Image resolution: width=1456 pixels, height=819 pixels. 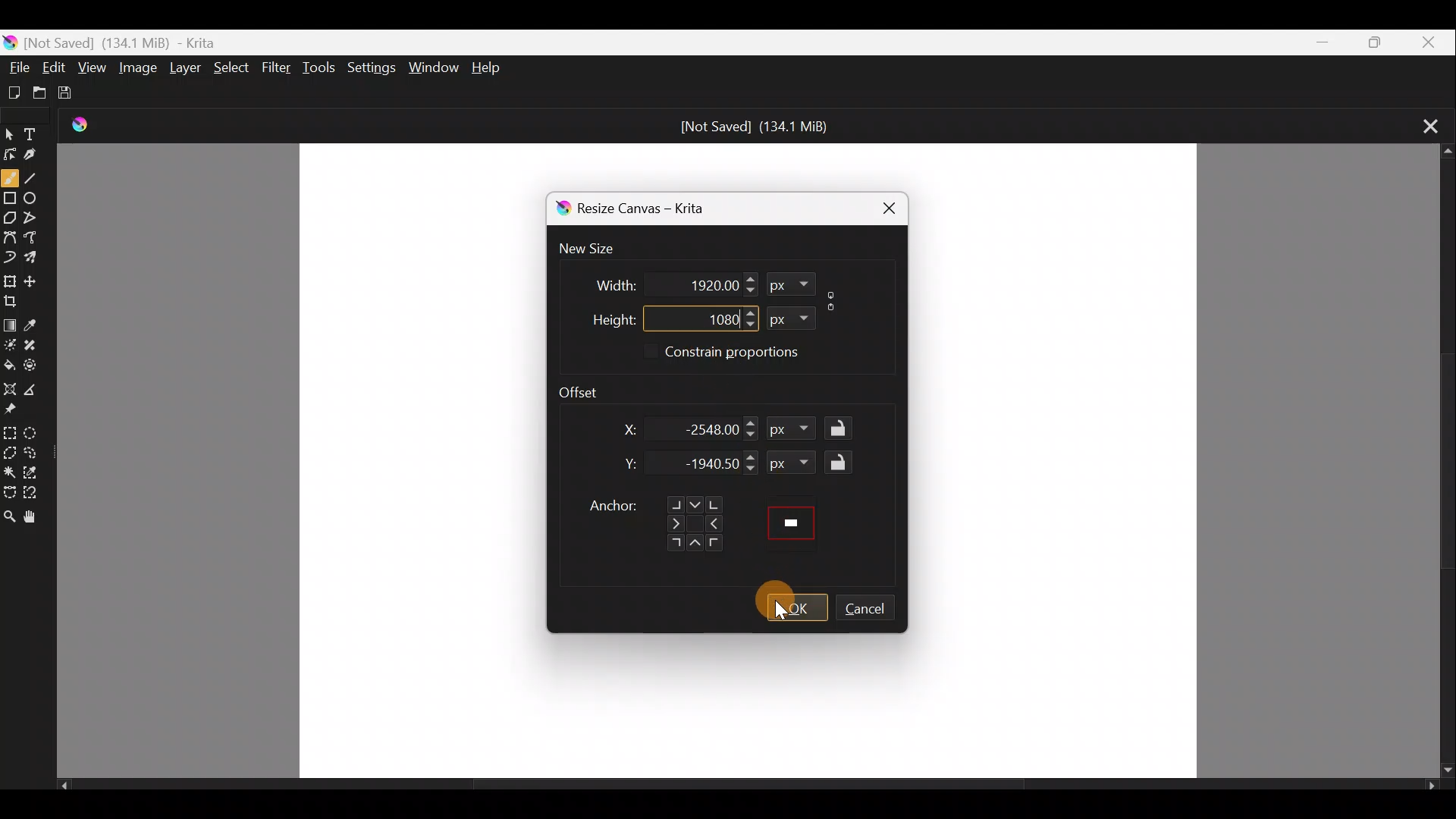 I want to click on Calligraphy, so click(x=40, y=156).